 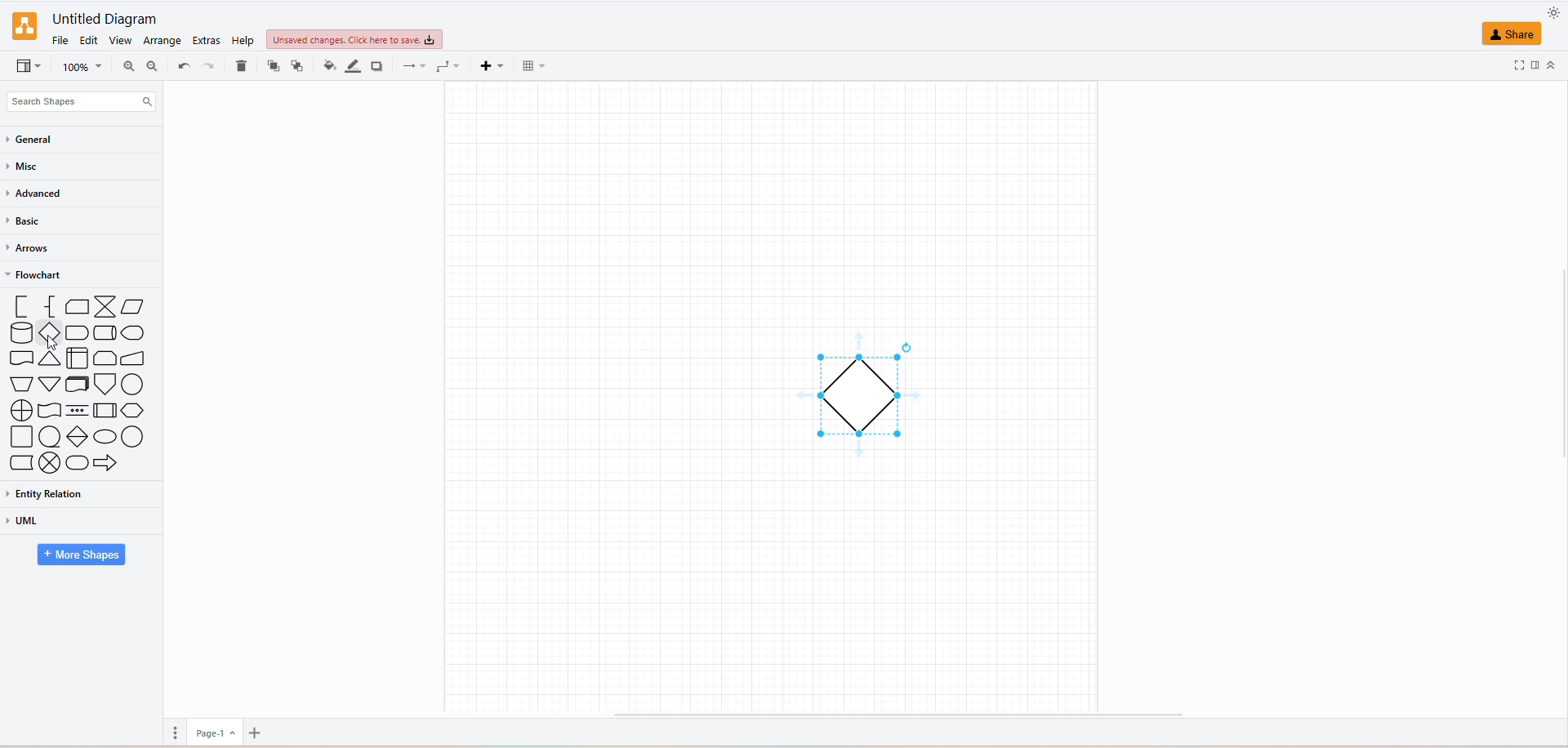 I want to click on BASIC, so click(x=25, y=223).